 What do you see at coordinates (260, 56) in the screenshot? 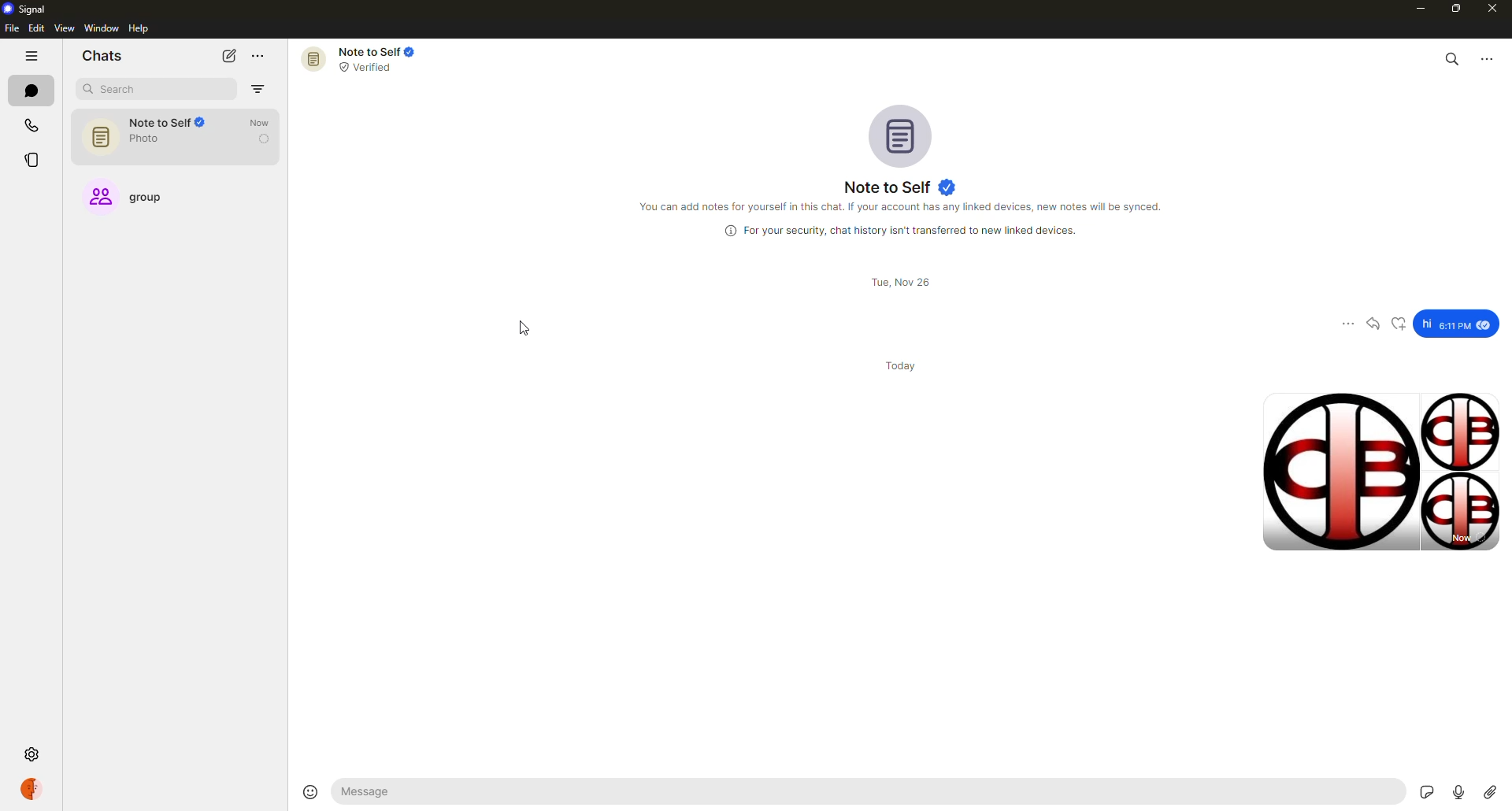
I see `more` at bounding box center [260, 56].